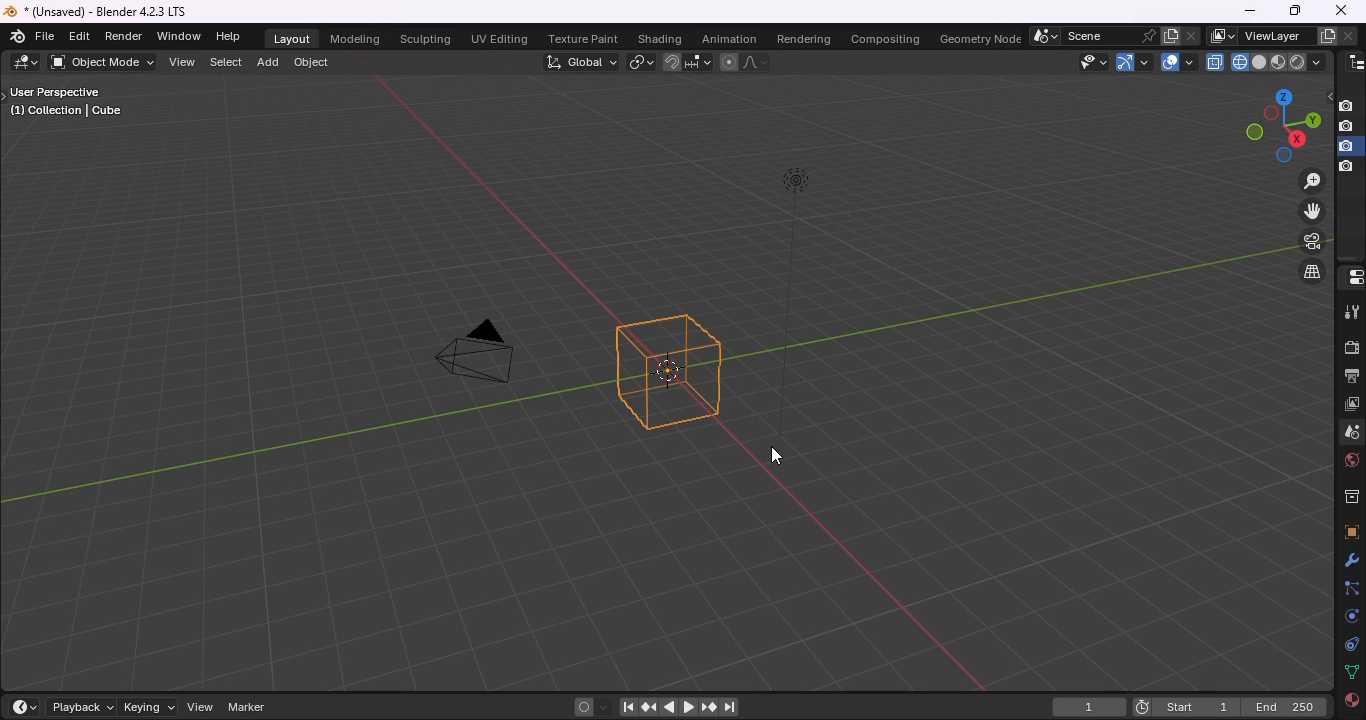  What do you see at coordinates (1046, 37) in the screenshot?
I see `drop down` at bounding box center [1046, 37].